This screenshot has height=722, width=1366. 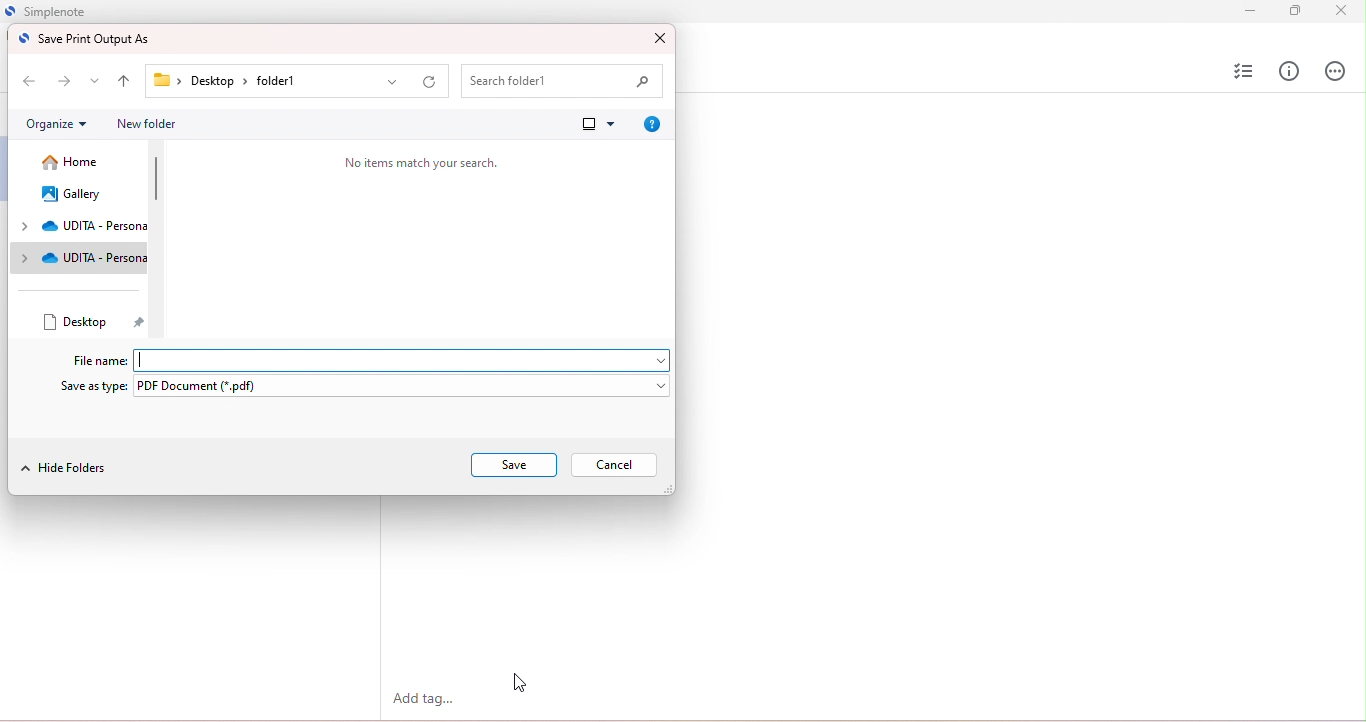 I want to click on maximize, so click(x=1293, y=9).